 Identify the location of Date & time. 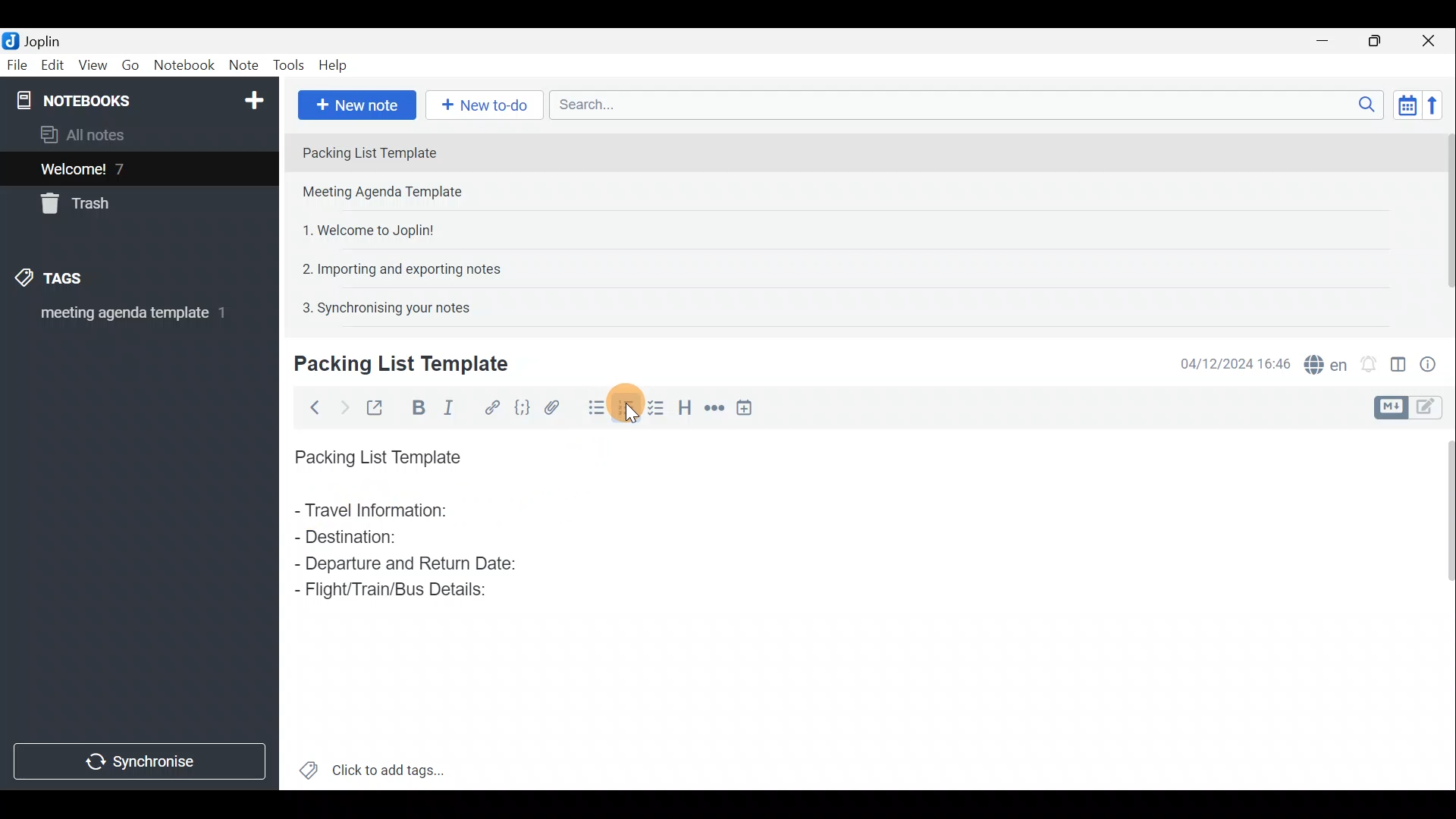
(1235, 362).